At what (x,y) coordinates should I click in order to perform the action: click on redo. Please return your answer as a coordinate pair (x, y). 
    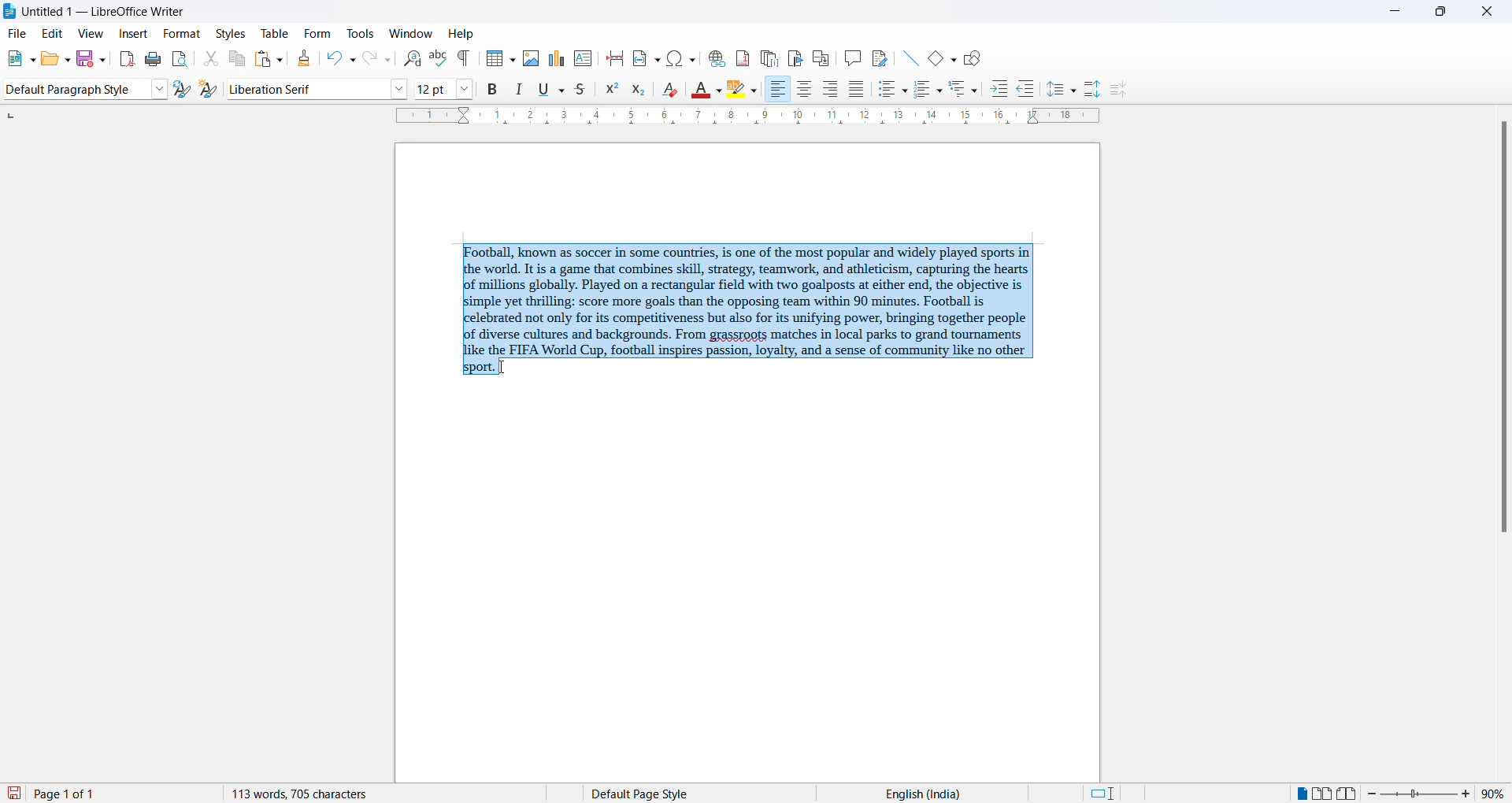
    Looking at the image, I should click on (379, 59).